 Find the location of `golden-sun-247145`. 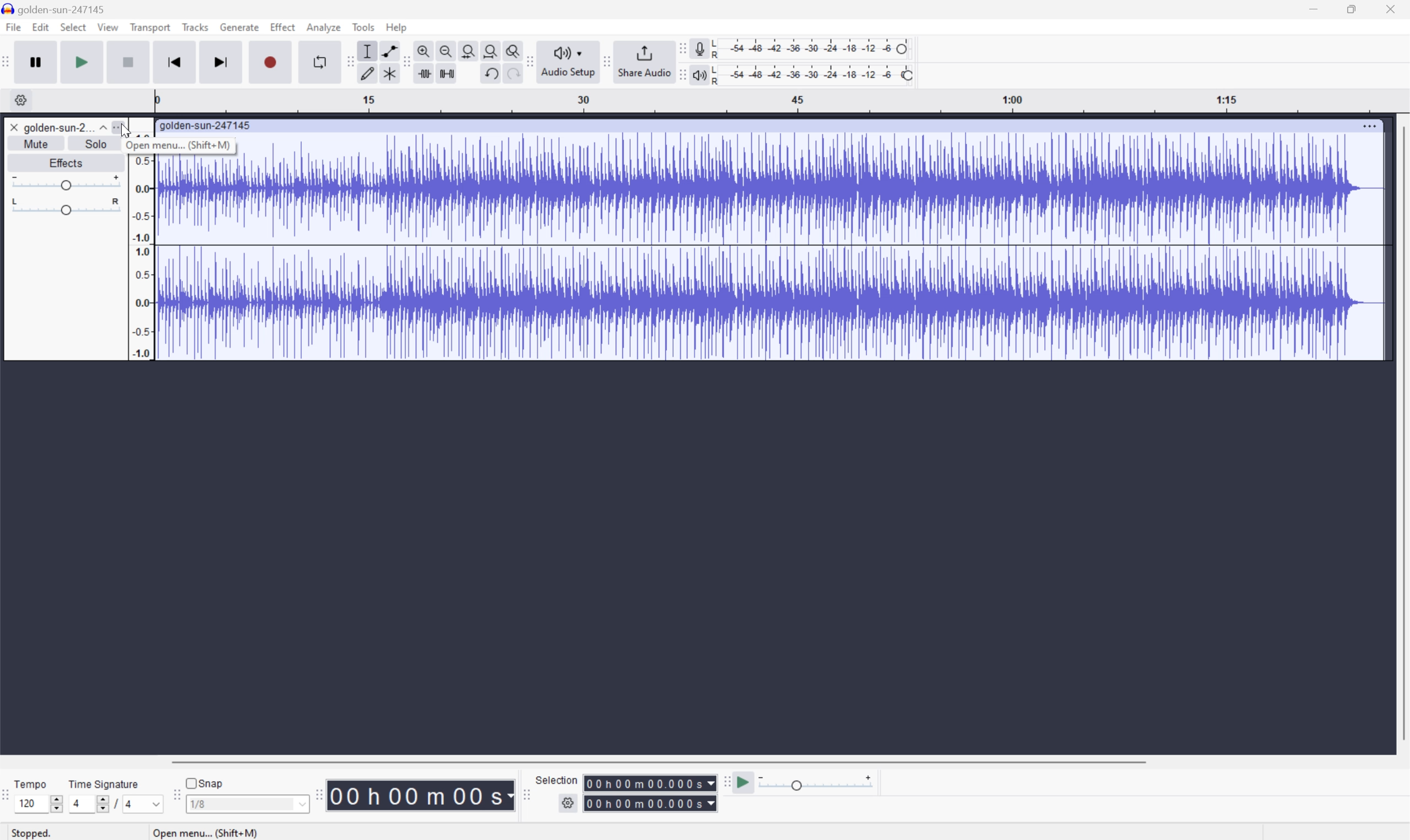

golden-sun-247145 is located at coordinates (57, 8).